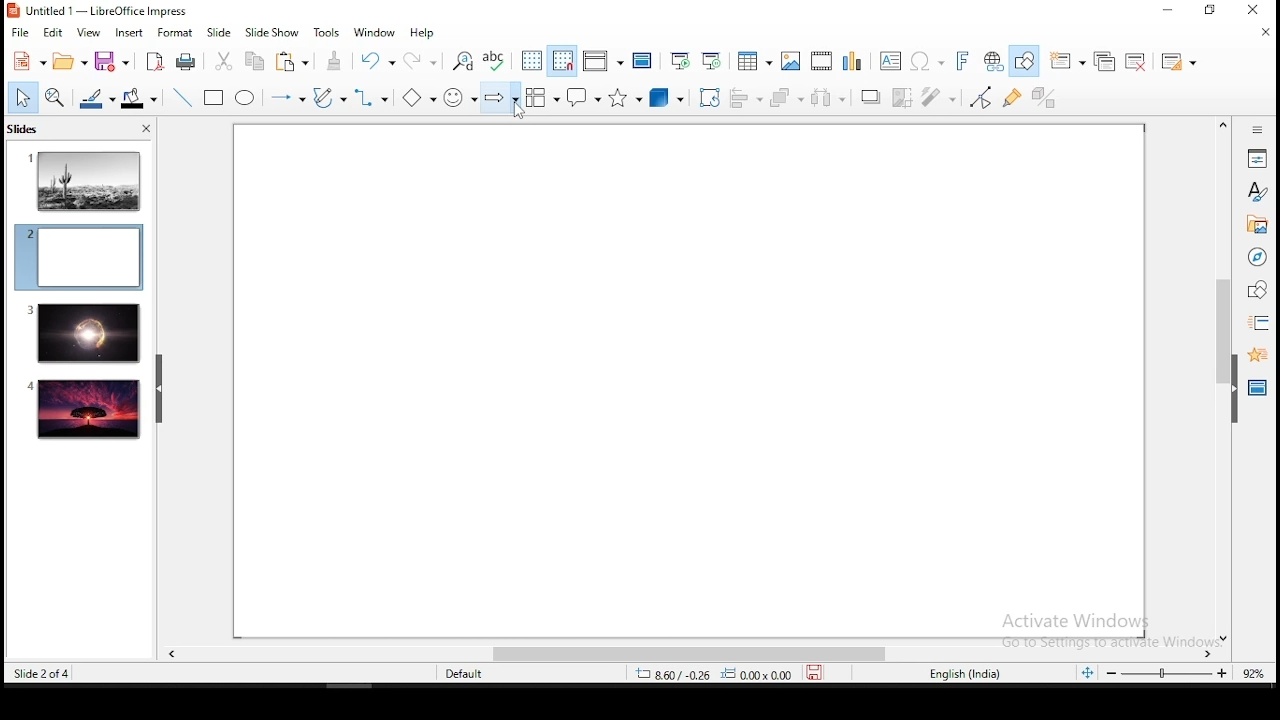 This screenshot has height=720, width=1280. Describe the element at coordinates (53, 33) in the screenshot. I see `edit` at that location.